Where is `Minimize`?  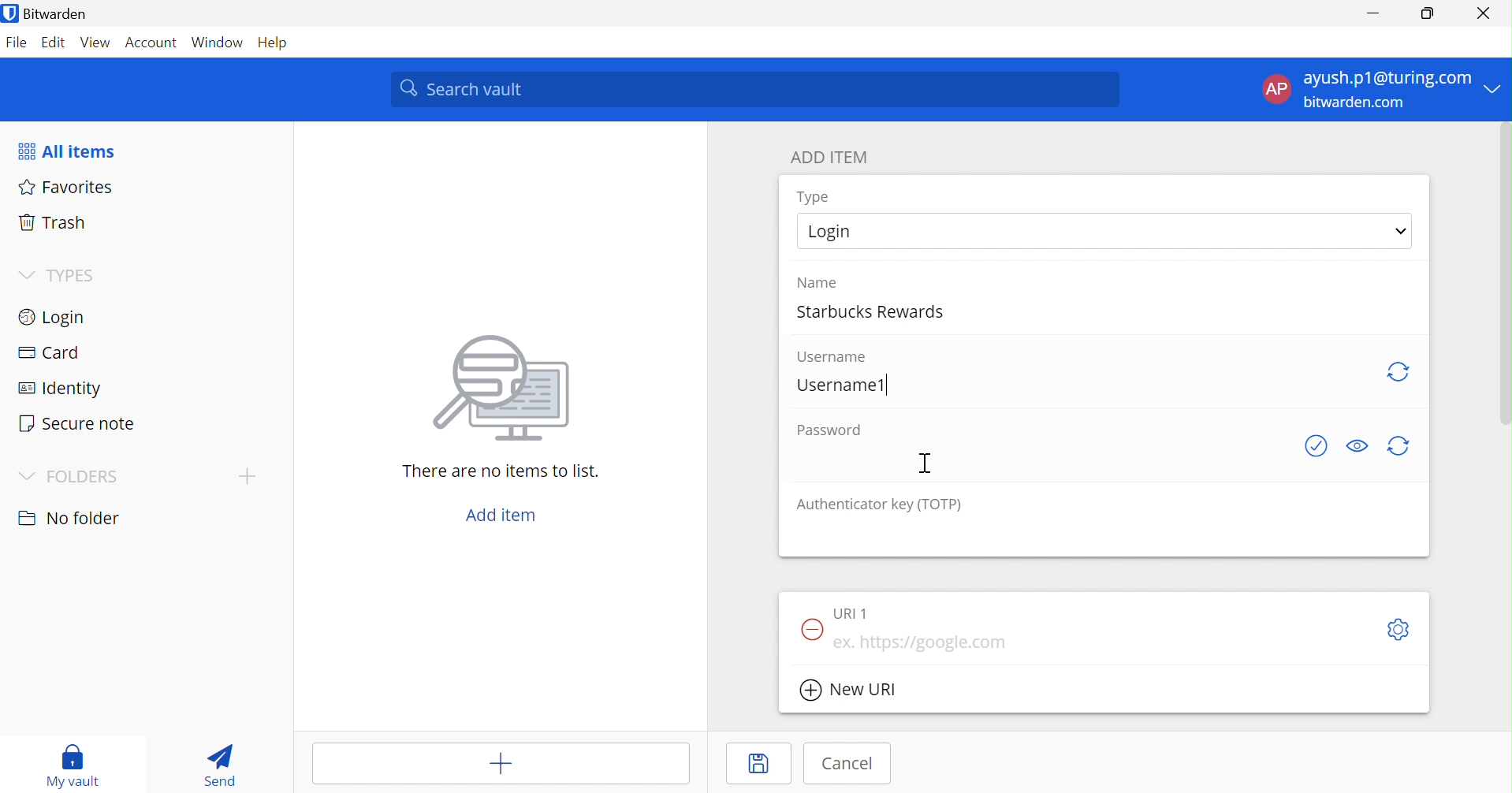 Minimize is located at coordinates (1375, 9).